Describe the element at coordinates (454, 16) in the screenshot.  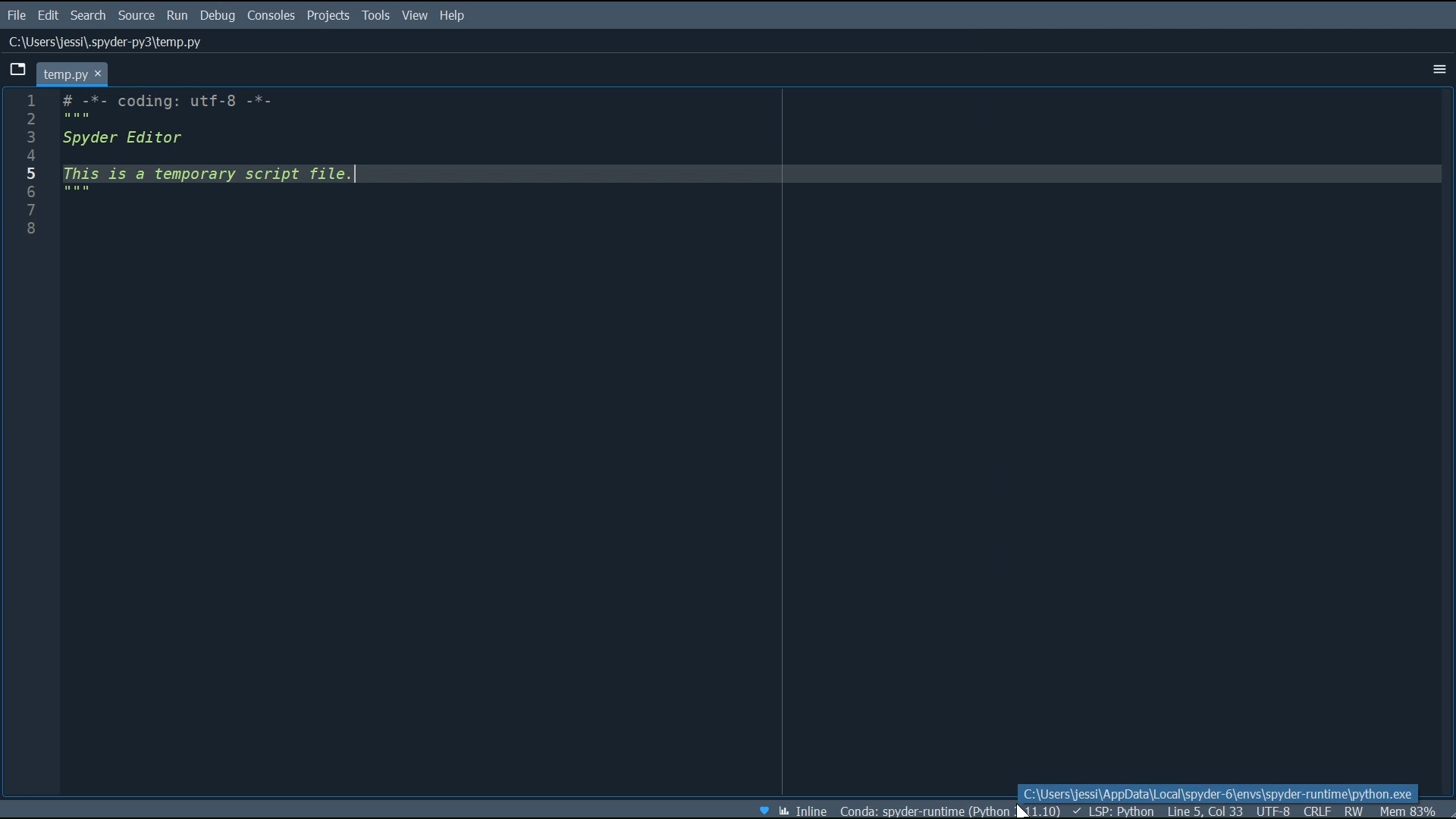
I see `Help` at that location.